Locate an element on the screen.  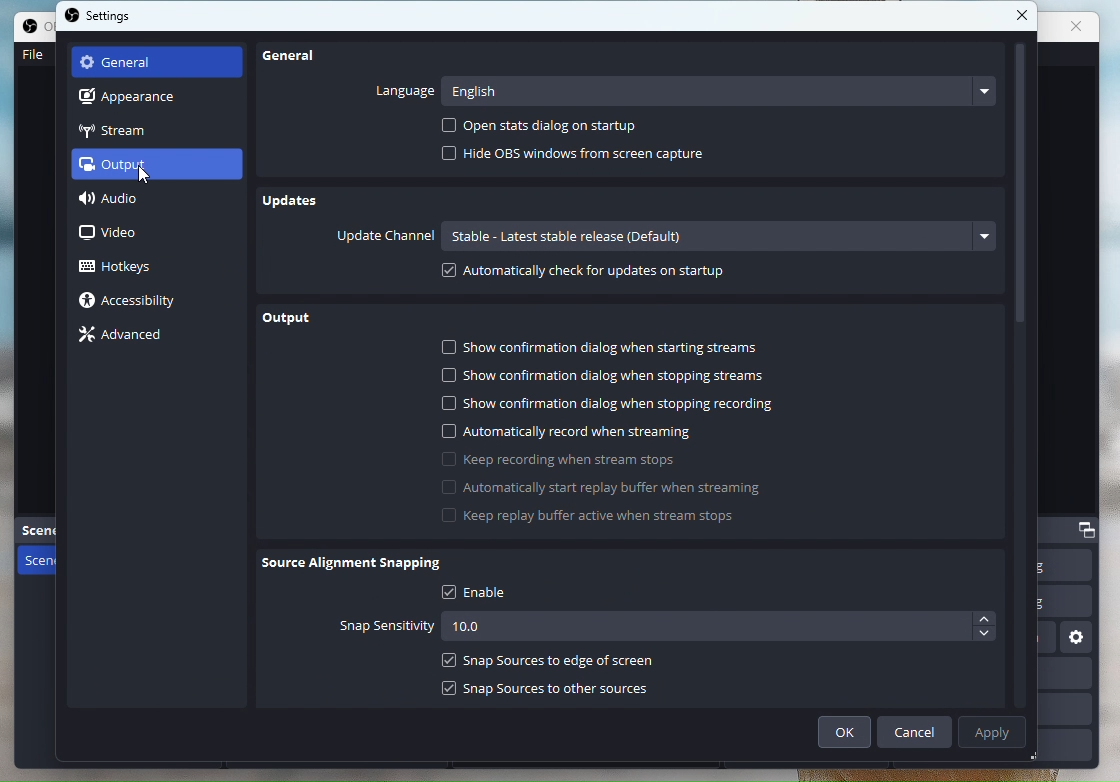
Show confirmation dialog when stopping recording is located at coordinates (606, 404).